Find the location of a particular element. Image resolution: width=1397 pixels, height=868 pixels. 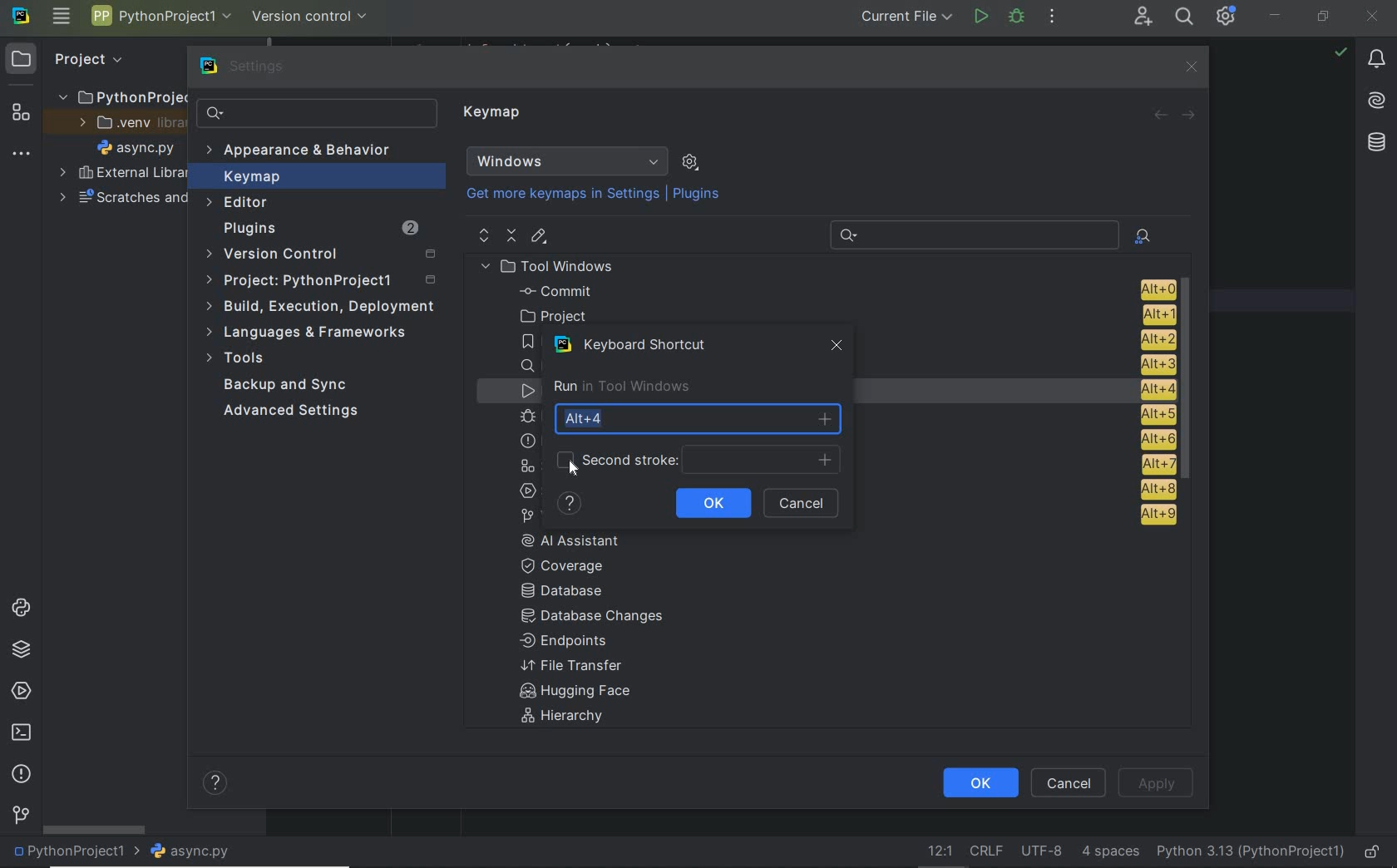

Keymap is located at coordinates (317, 176).